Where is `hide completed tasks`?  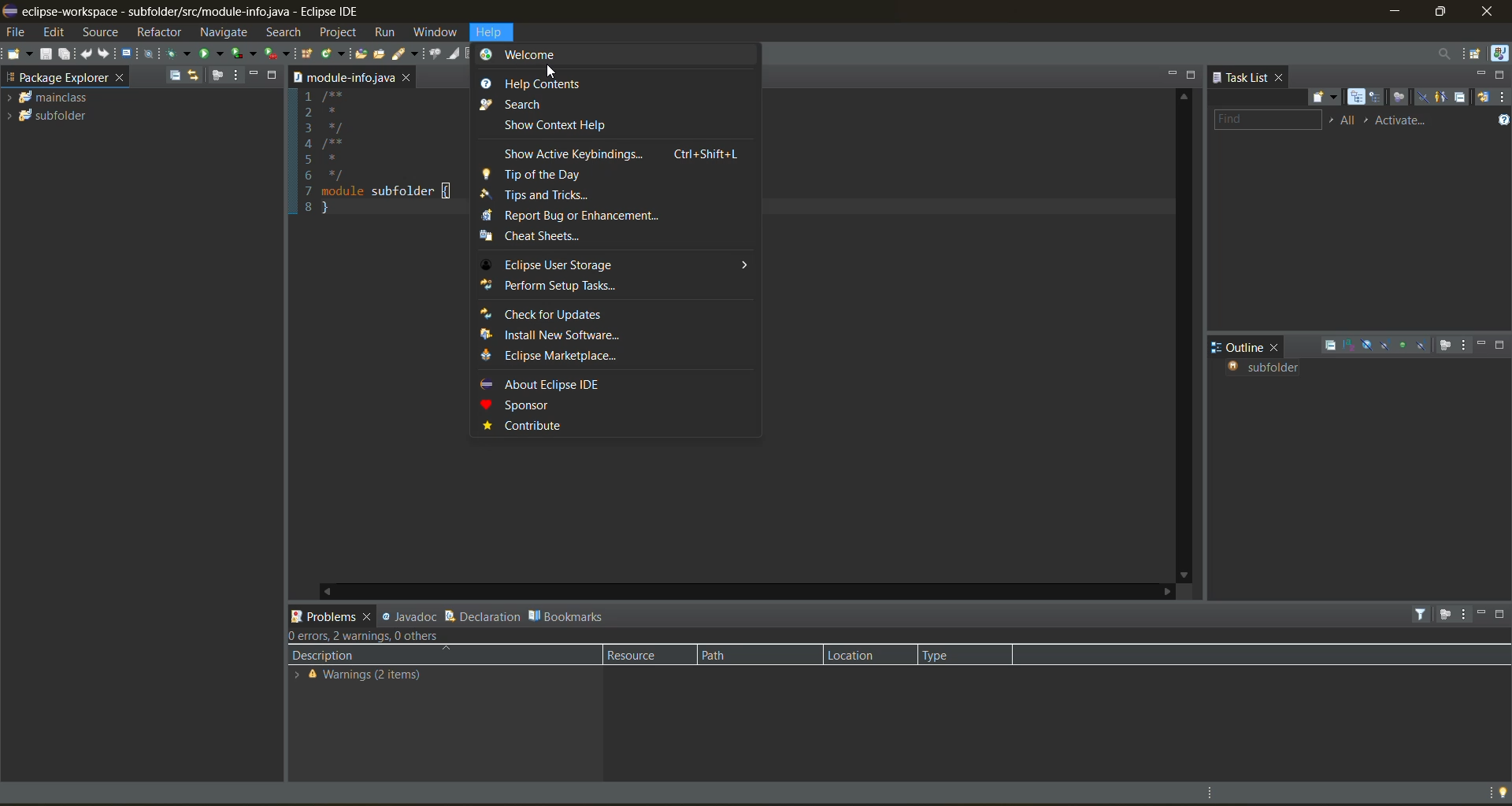
hide completed tasks is located at coordinates (1424, 97).